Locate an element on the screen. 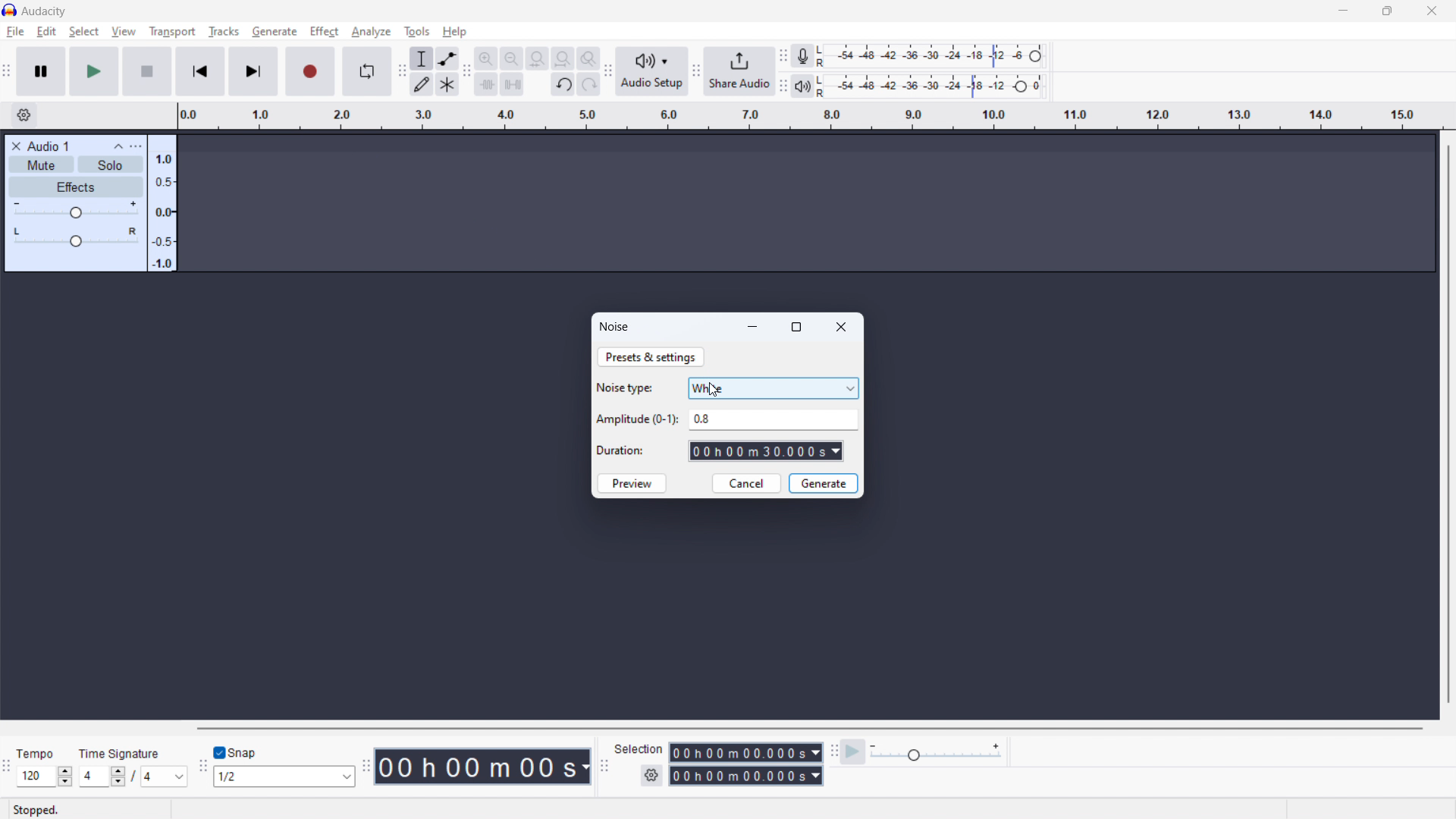 Image resolution: width=1456 pixels, height=819 pixels. cancel is located at coordinates (746, 483).